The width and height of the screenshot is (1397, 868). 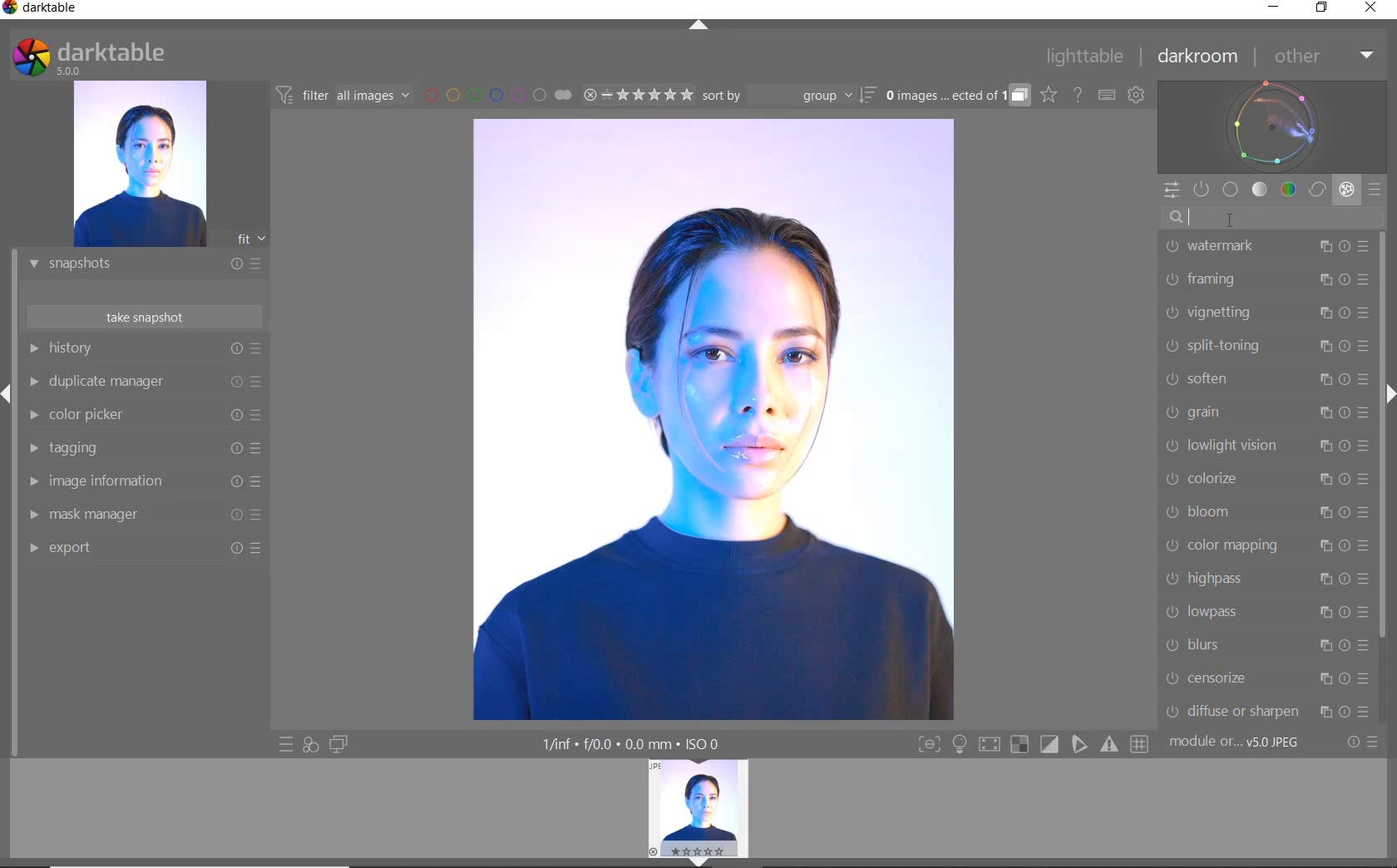 I want to click on SEARCH MODULE BY NAME, so click(x=1271, y=217).